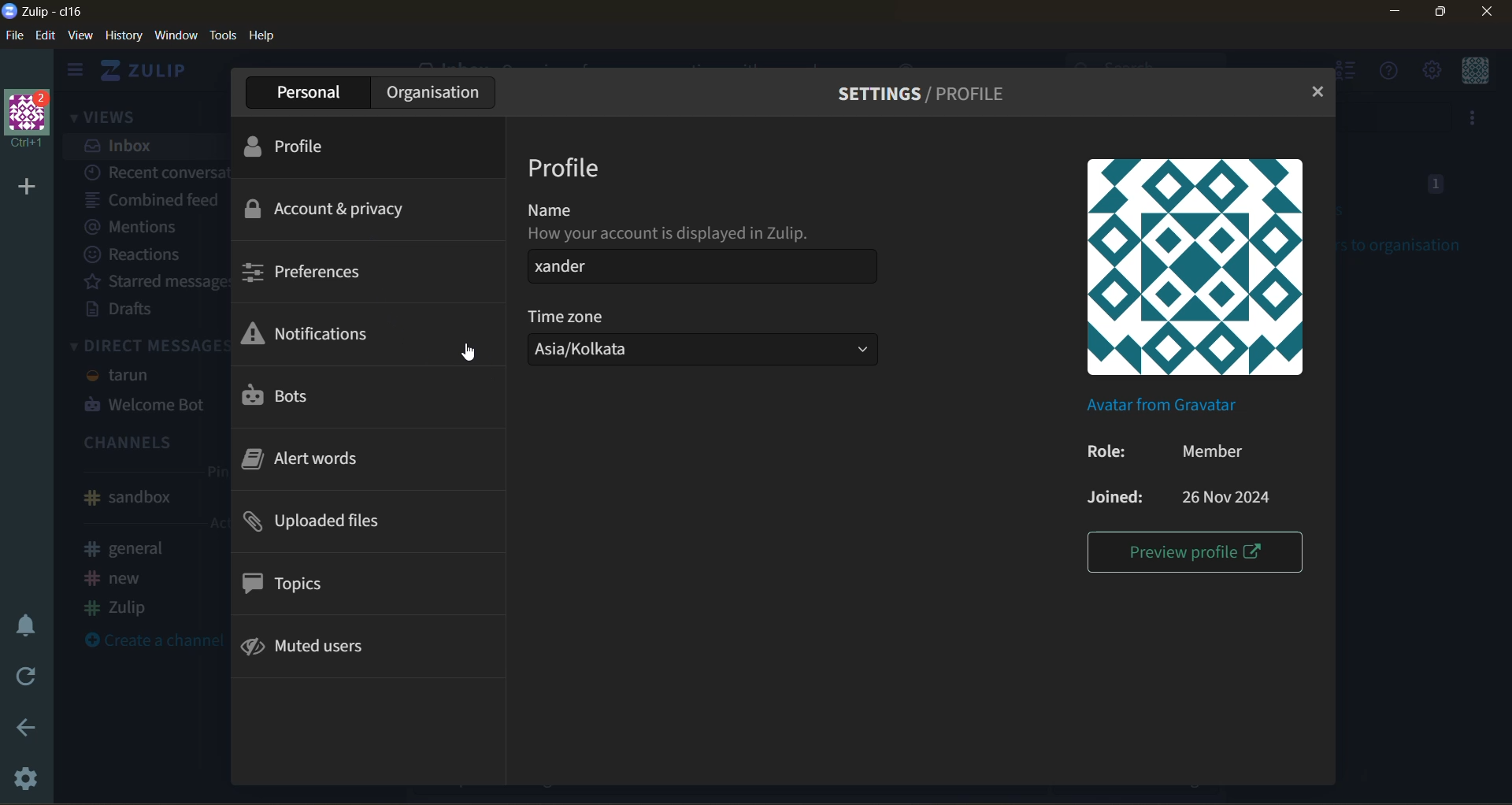 The width and height of the screenshot is (1512, 805). Describe the element at coordinates (320, 649) in the screenshot. I see `muted users` at that location.